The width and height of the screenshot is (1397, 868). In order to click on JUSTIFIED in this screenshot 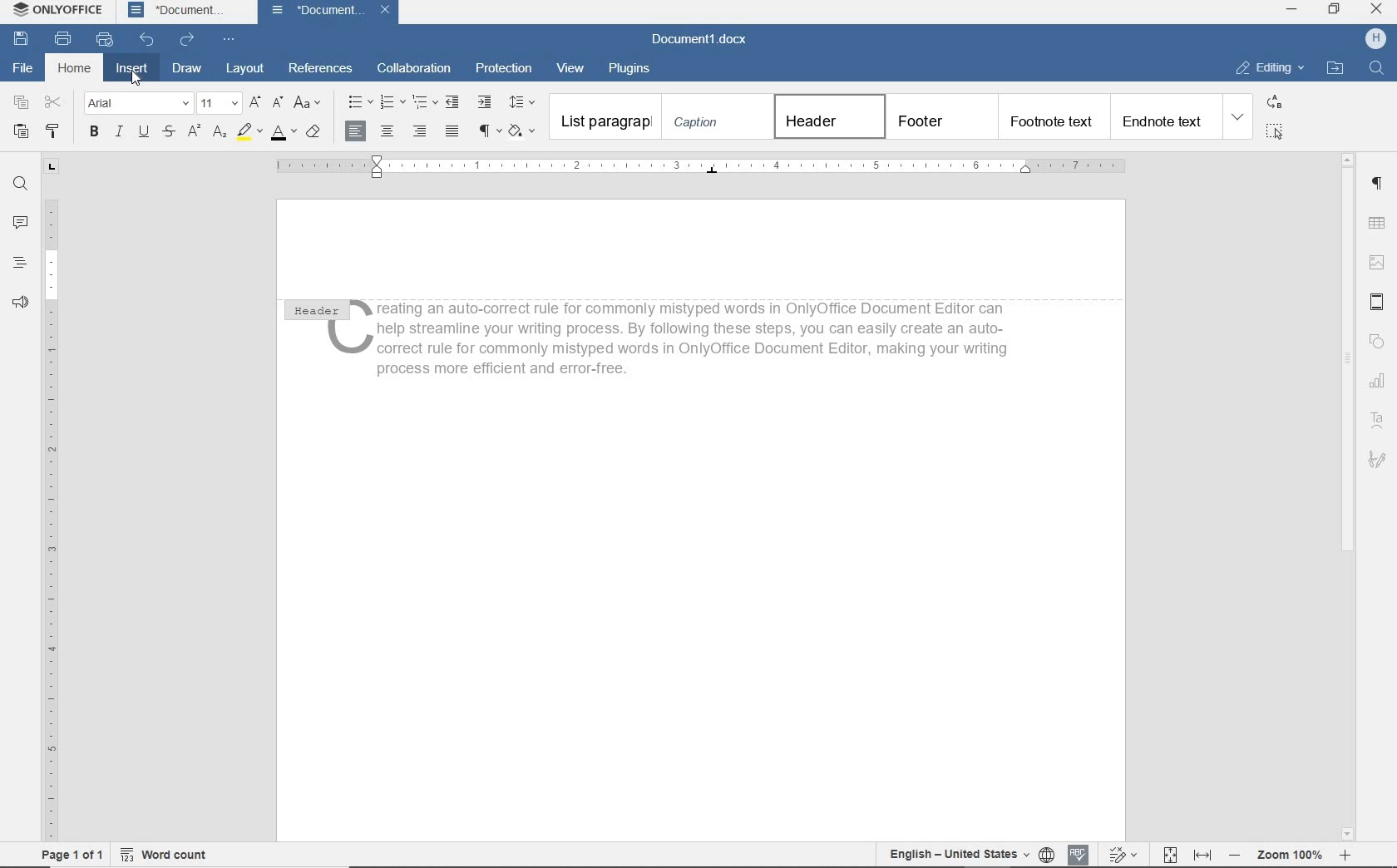, I will do `click(453, 132)`.